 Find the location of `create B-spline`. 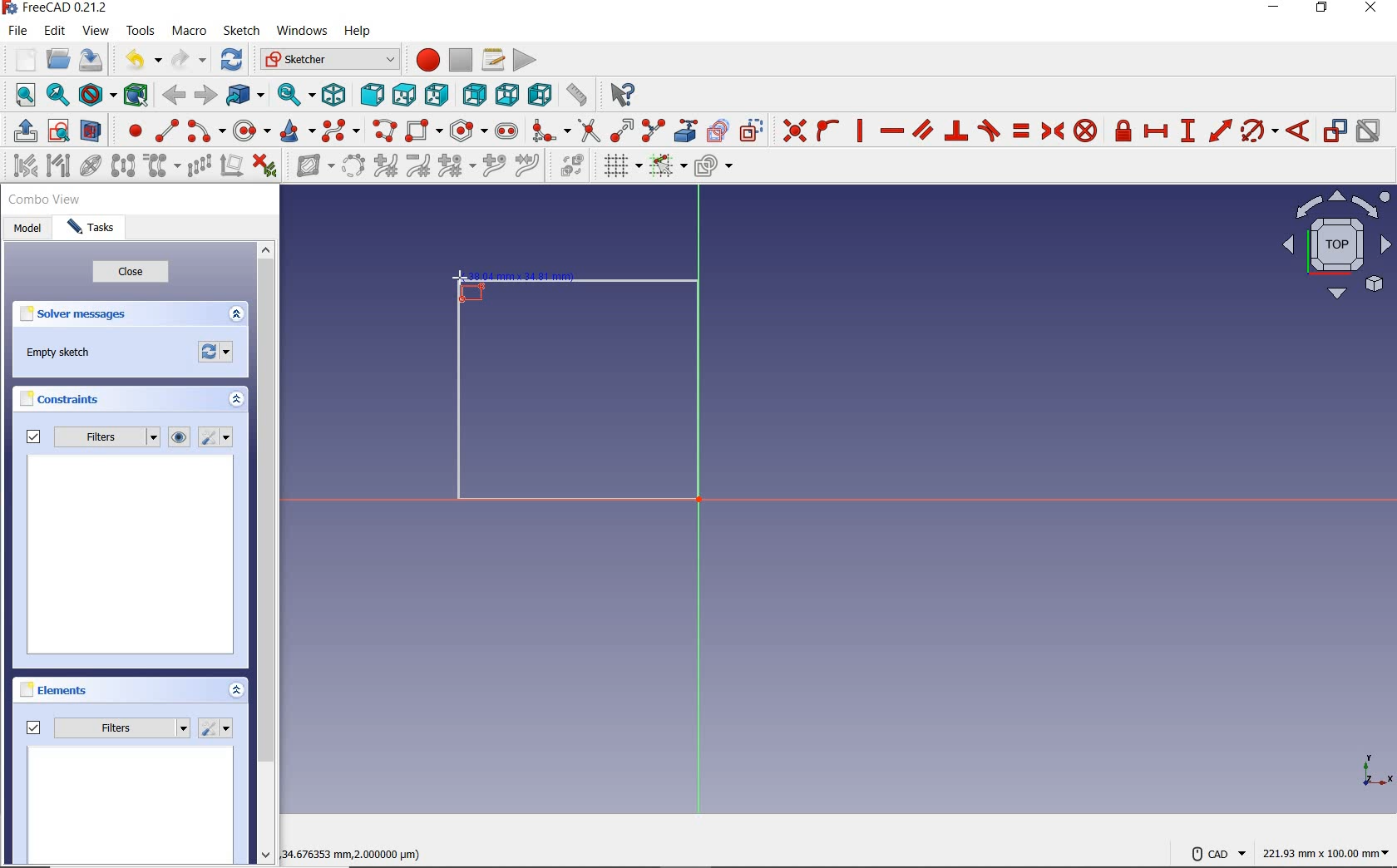

create B-spline is located at coordinates (341, 132).